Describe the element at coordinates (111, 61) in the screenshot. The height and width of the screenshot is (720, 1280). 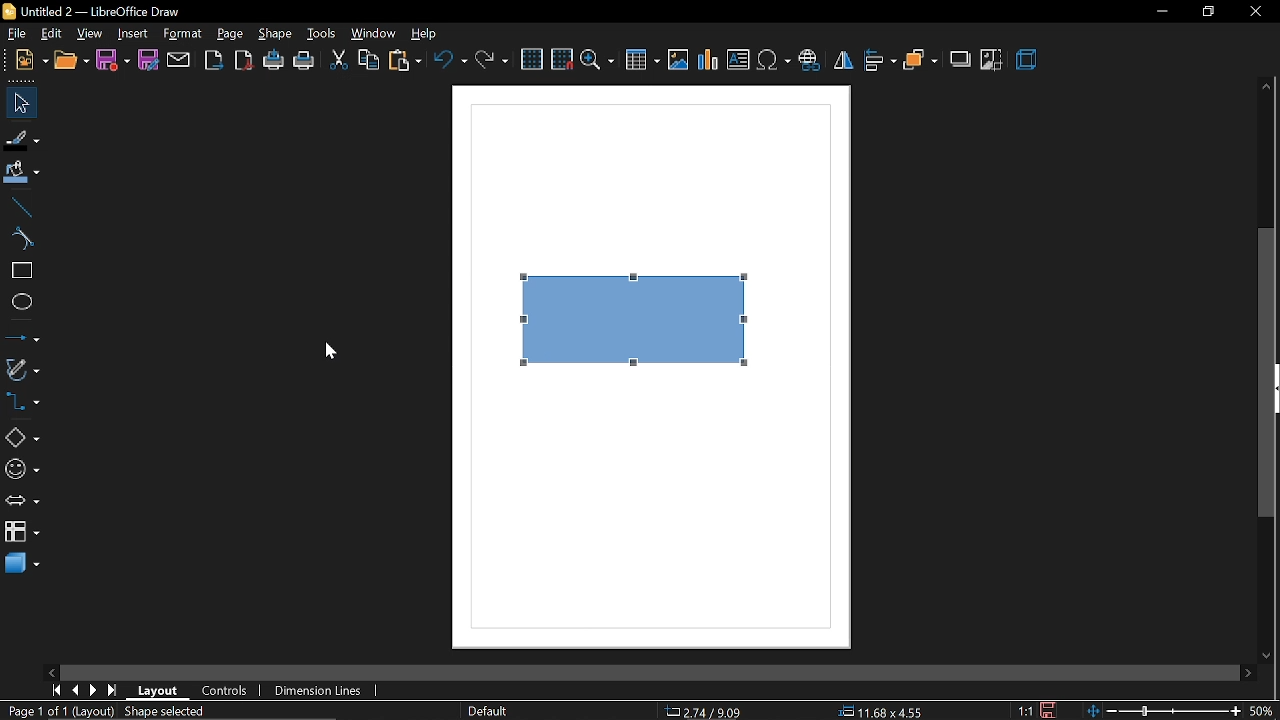
I see `save` at that location.